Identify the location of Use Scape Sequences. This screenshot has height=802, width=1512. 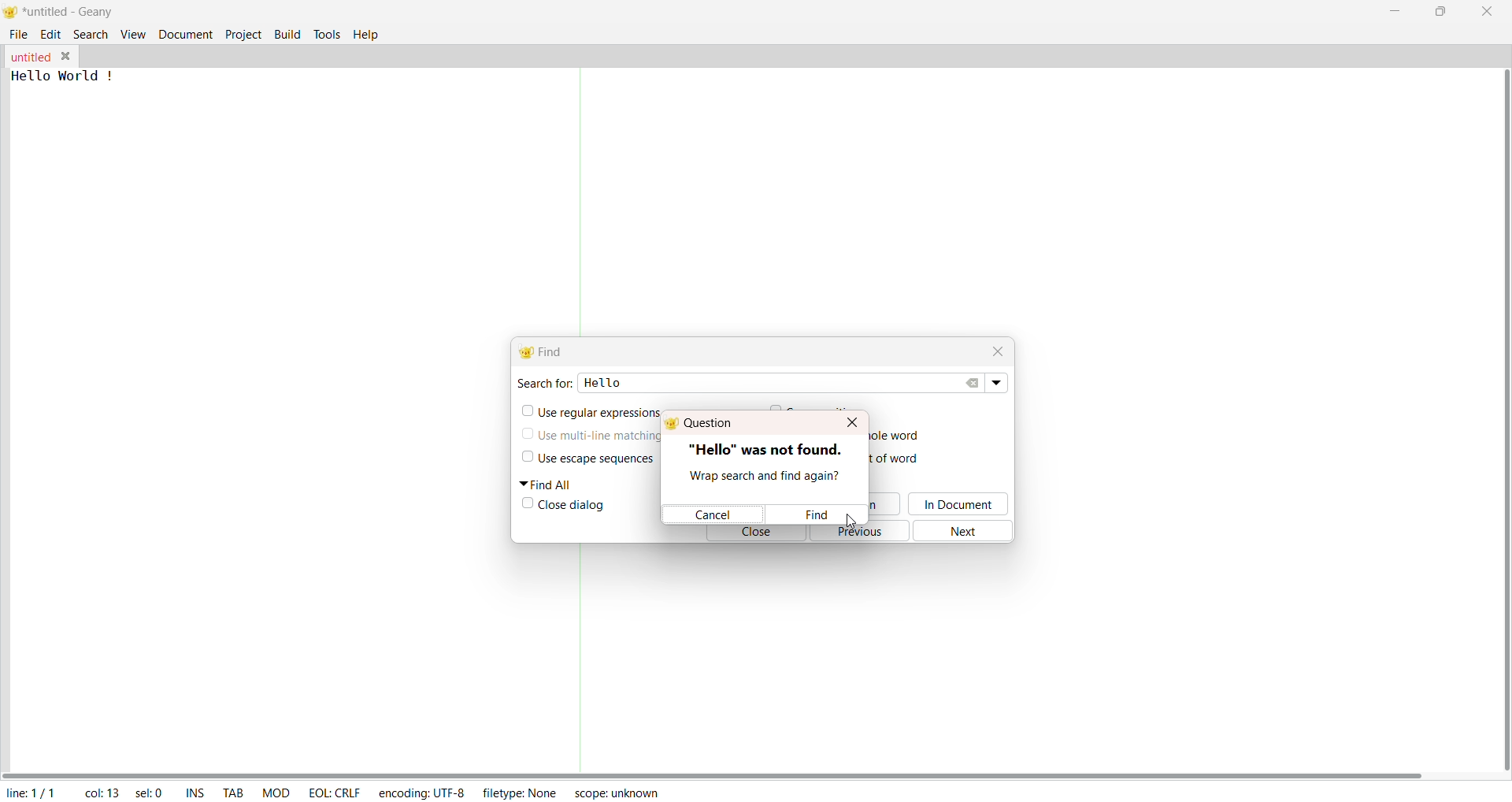
(610, 460).